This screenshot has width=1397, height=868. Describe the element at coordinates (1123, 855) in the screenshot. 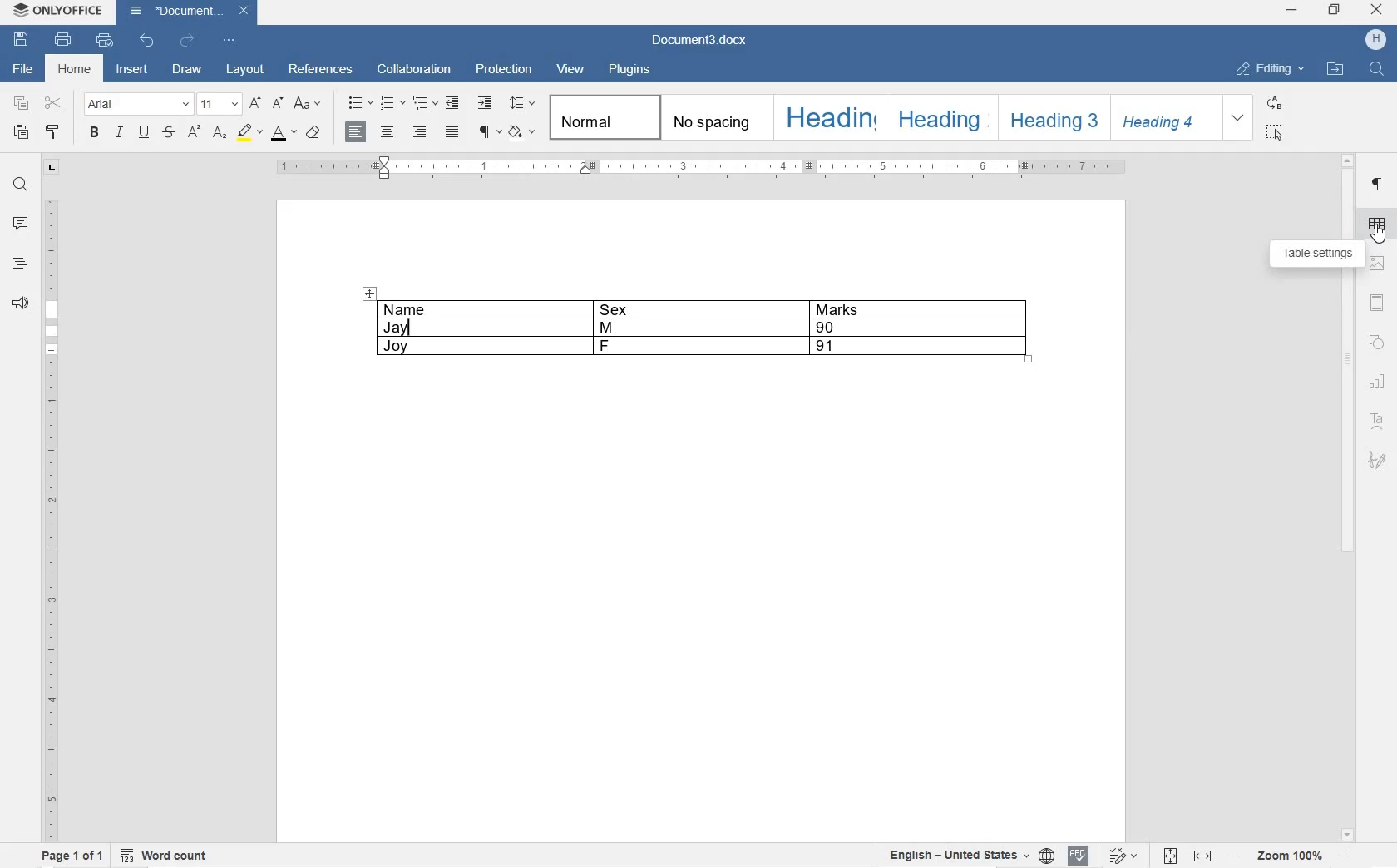

I see `TRACK CHANGES` at that location.